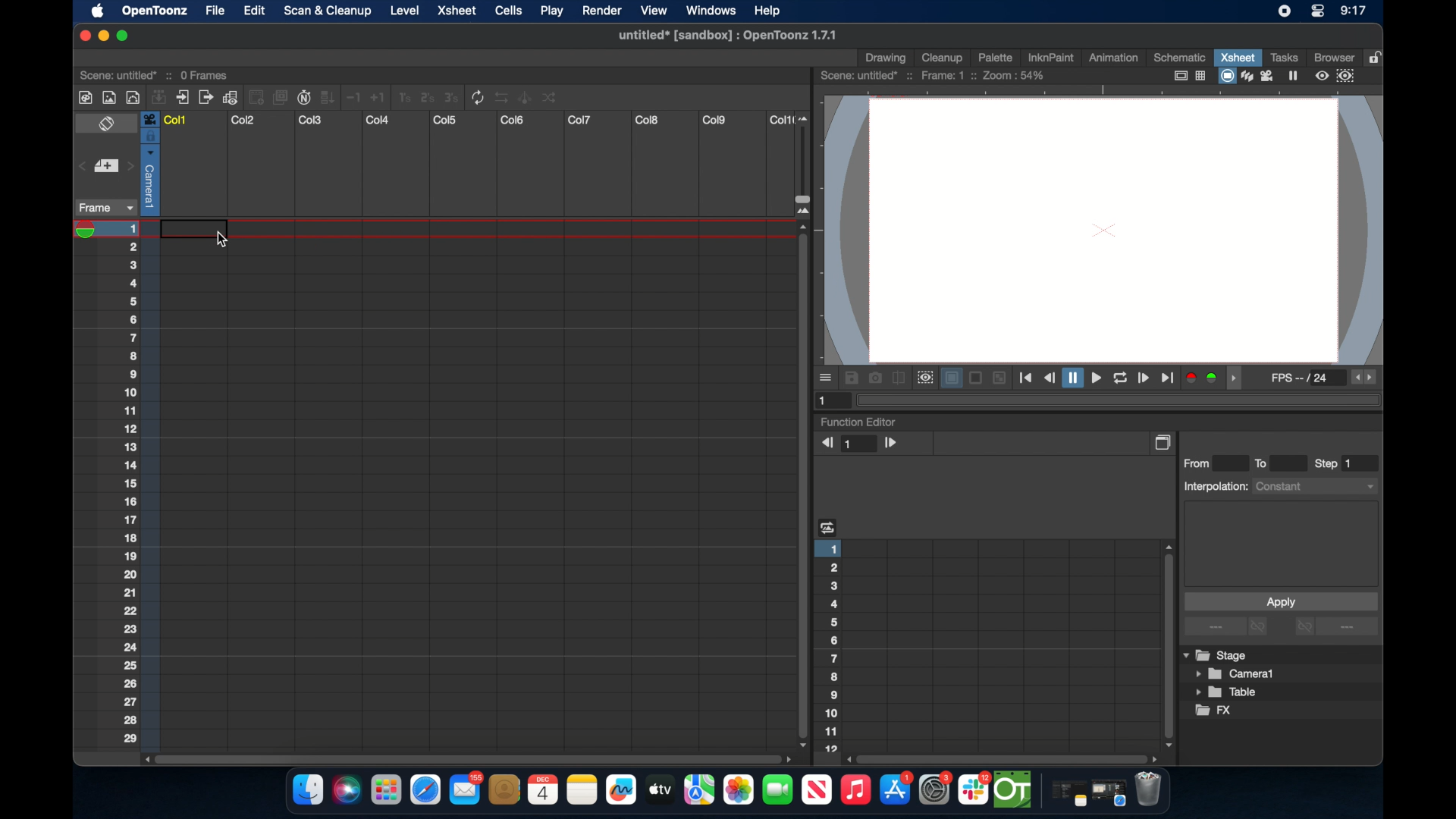 This screenshot has width=1456, height=819. Describe the element at coordinates (1148, 791) in the screenshot. I see `trash` at that location.